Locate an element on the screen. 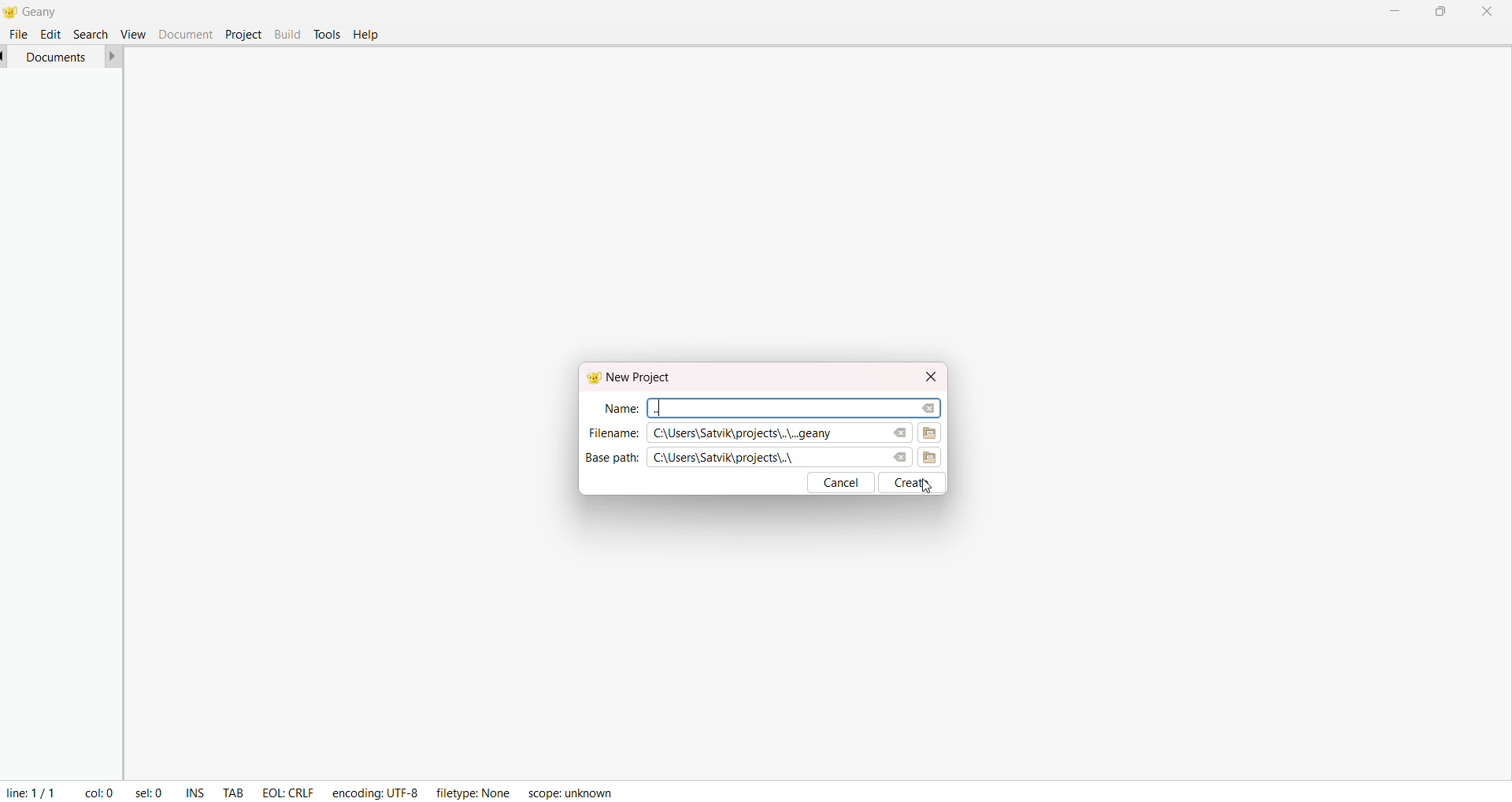 The image size is (1512, 802). forward is located at coordinates (113, 56).